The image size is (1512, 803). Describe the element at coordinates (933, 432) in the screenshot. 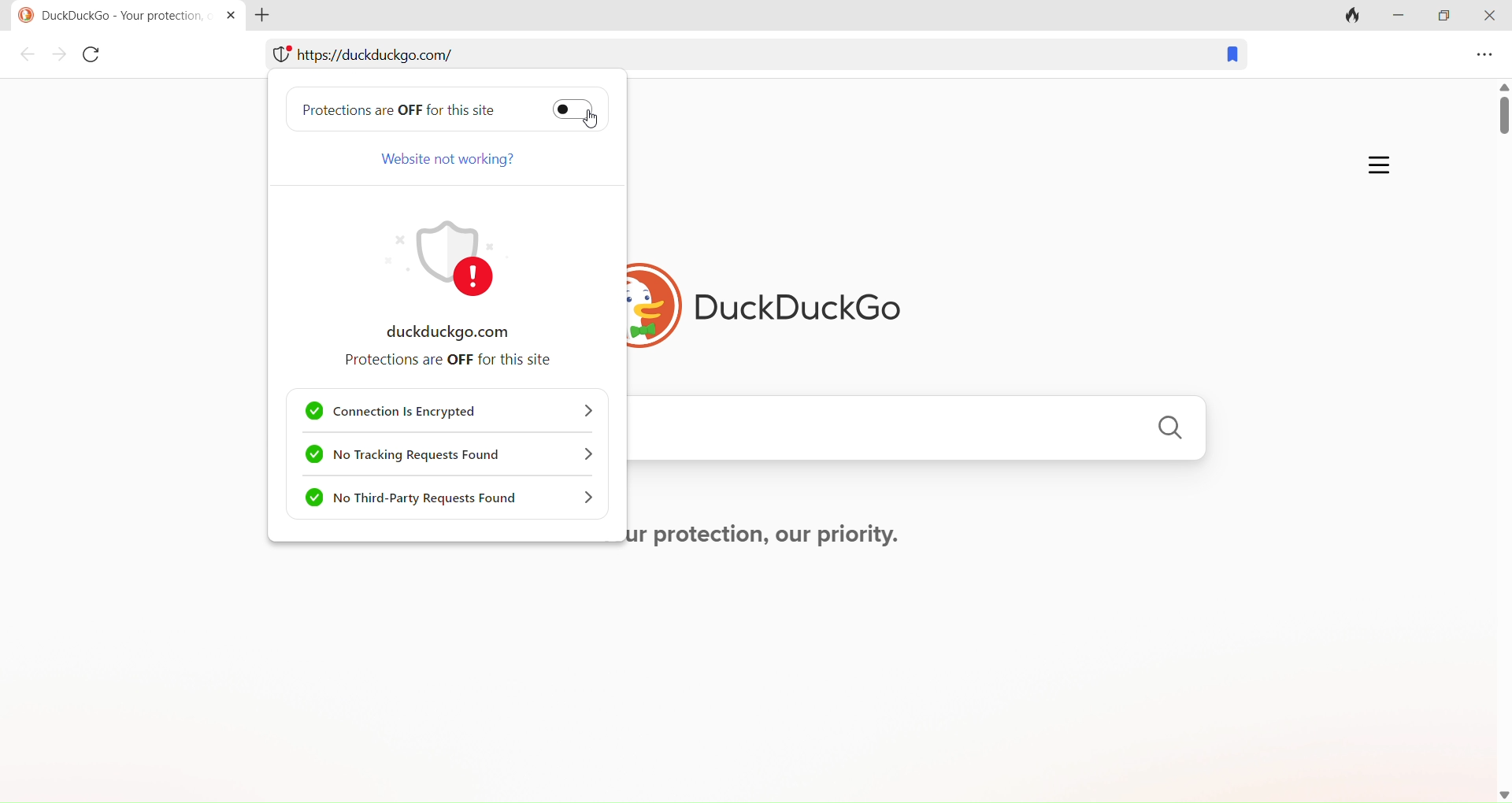

I see `search engine search bar` at that location.